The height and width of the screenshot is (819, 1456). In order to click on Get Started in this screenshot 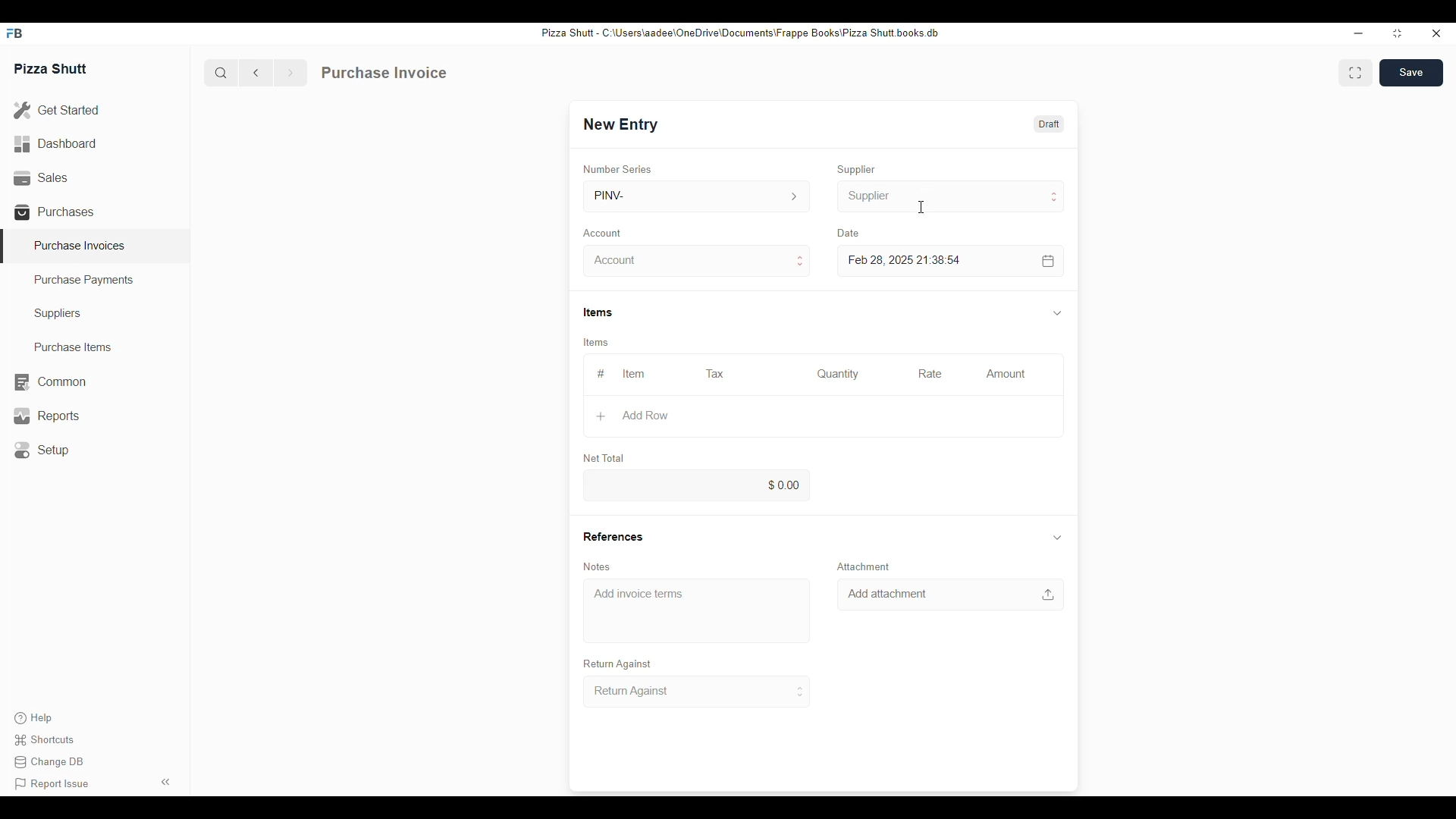, I will do `click(57, 111)`.